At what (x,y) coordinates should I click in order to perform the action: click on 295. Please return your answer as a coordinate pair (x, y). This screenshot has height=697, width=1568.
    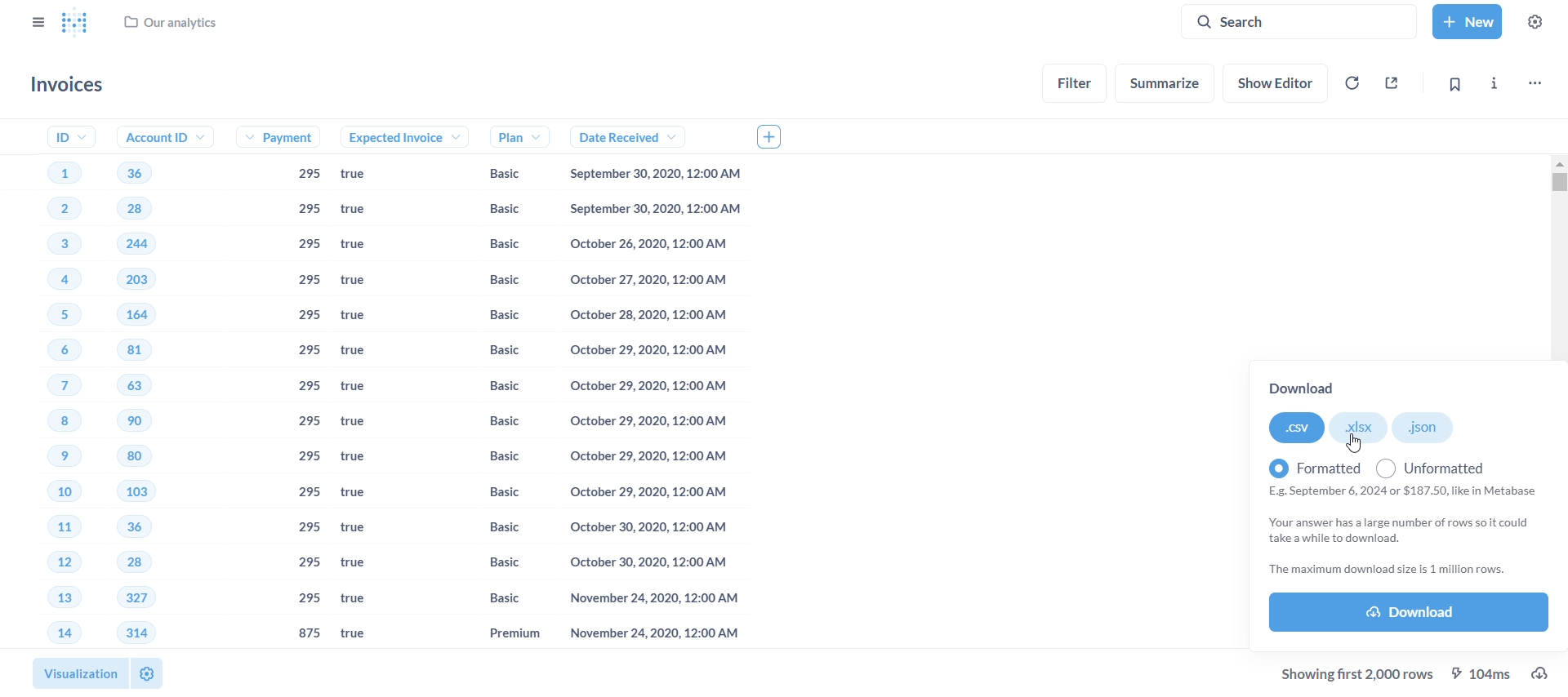
    Looking at the image, I should click on (307, 317).